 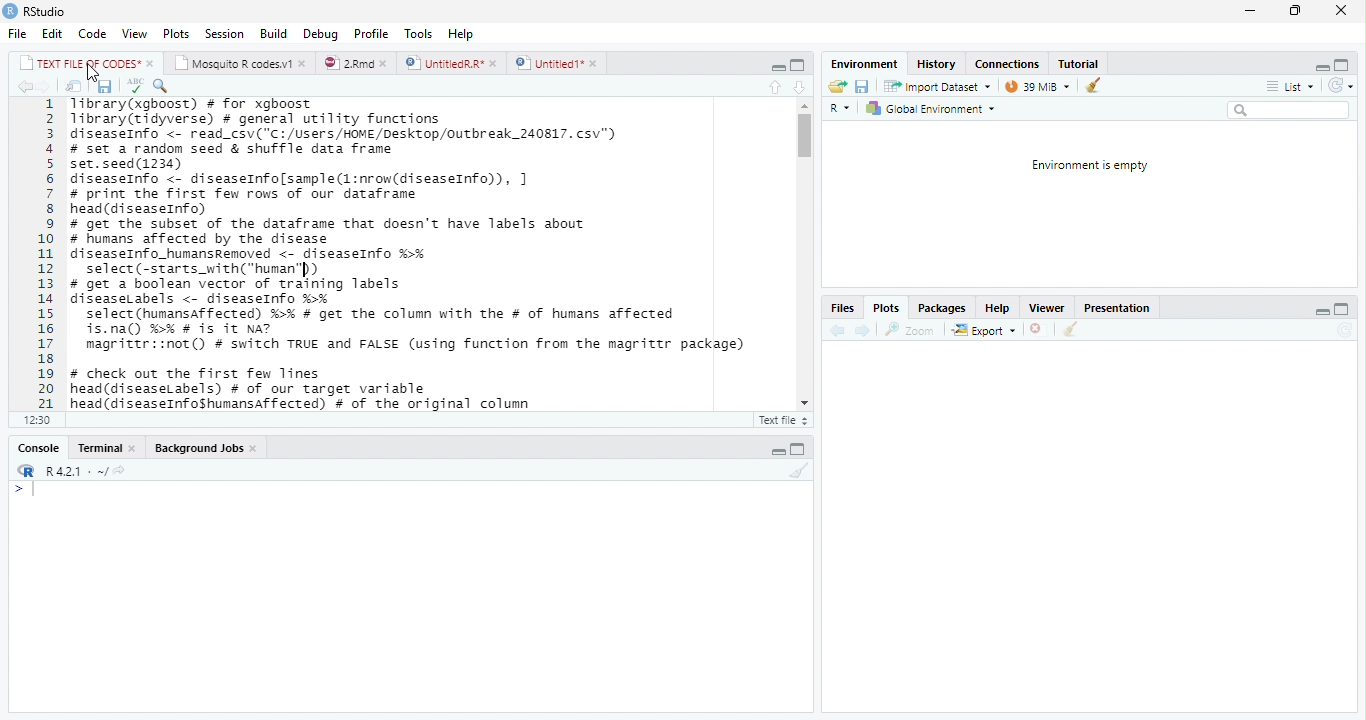 I want to click on Minimize, so click(x=1318, y=65).